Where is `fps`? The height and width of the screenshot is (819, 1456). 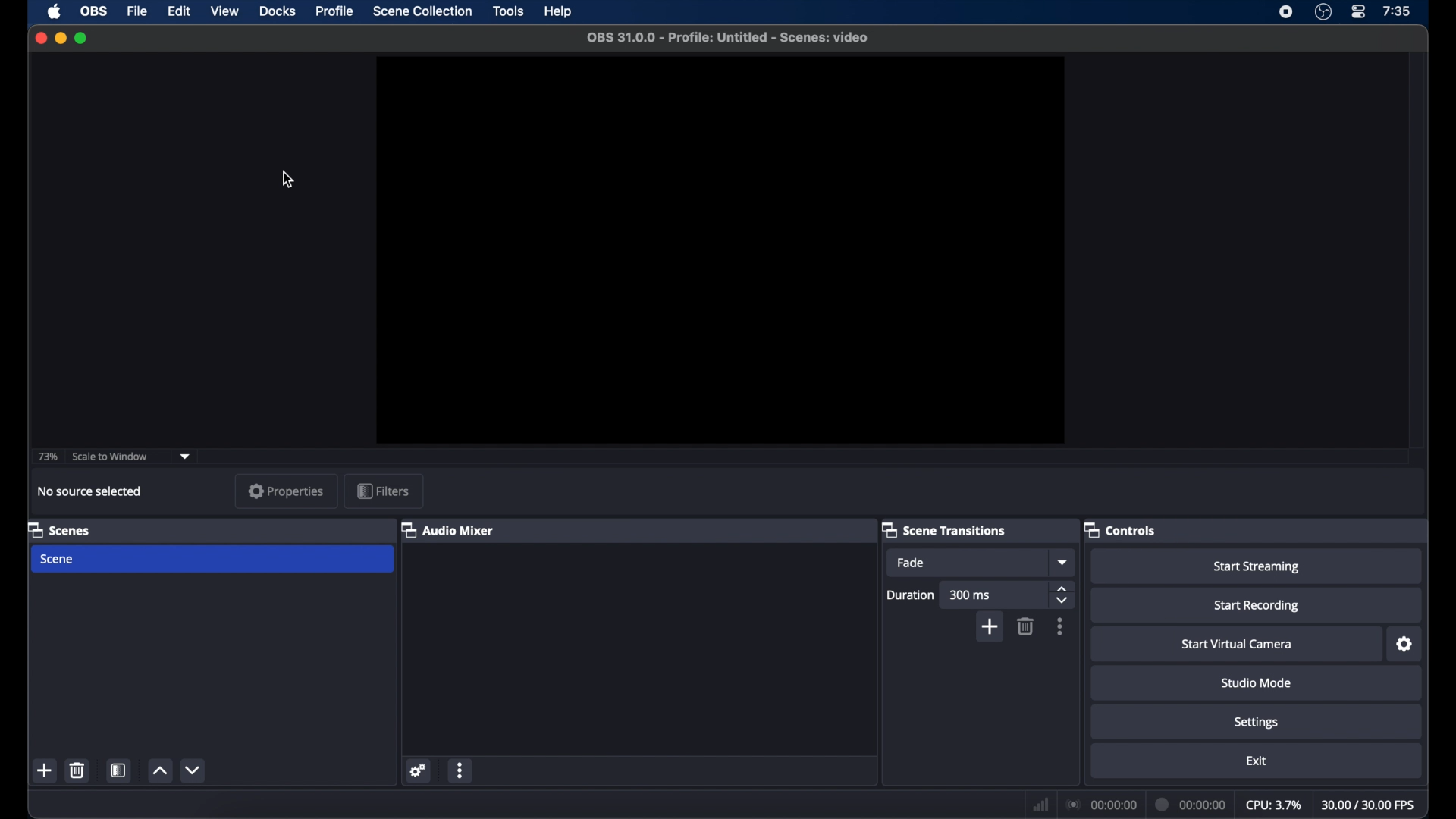 fps is located at coordinates (1370, 805).